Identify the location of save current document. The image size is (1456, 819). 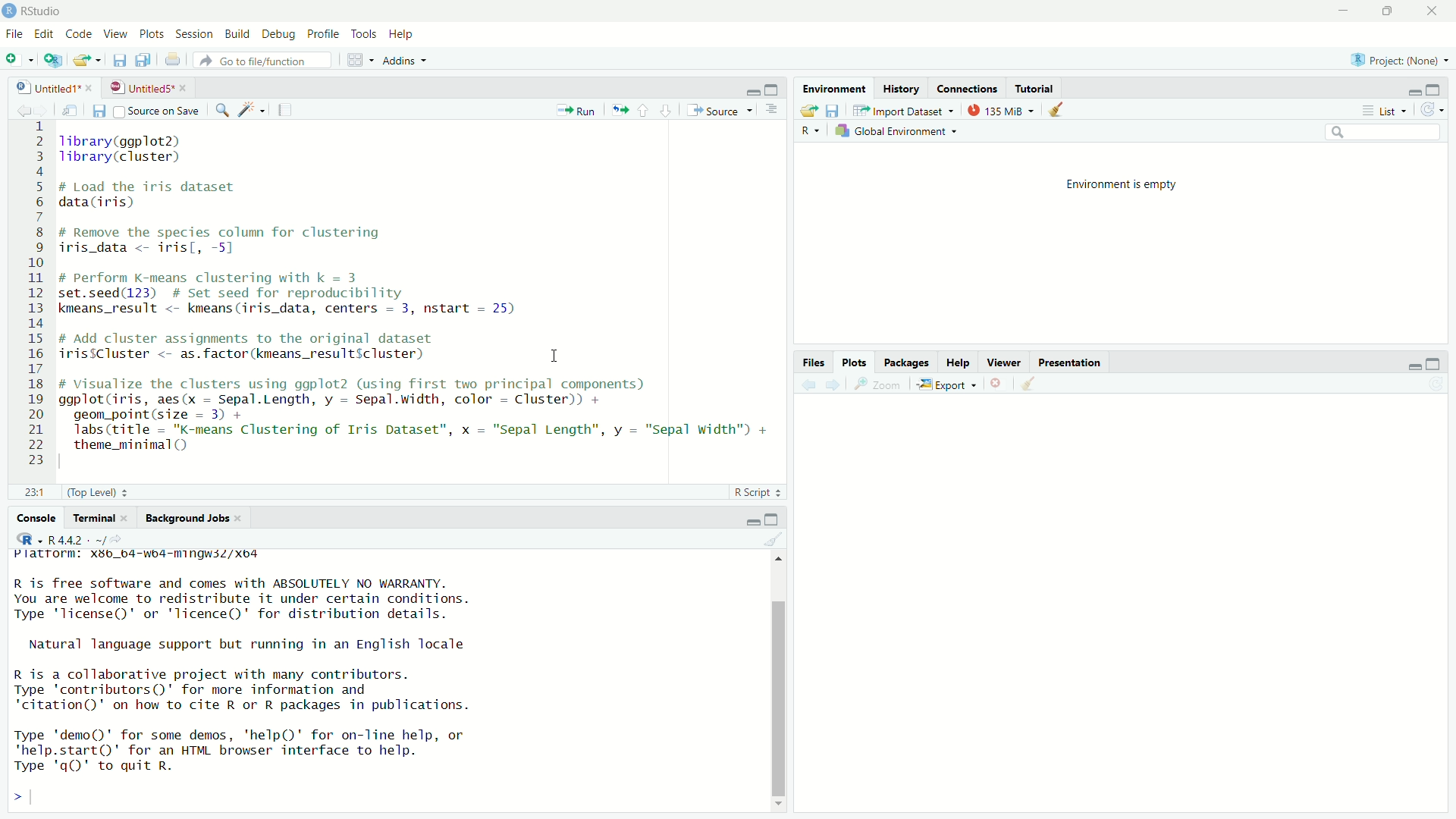
(97, 110).